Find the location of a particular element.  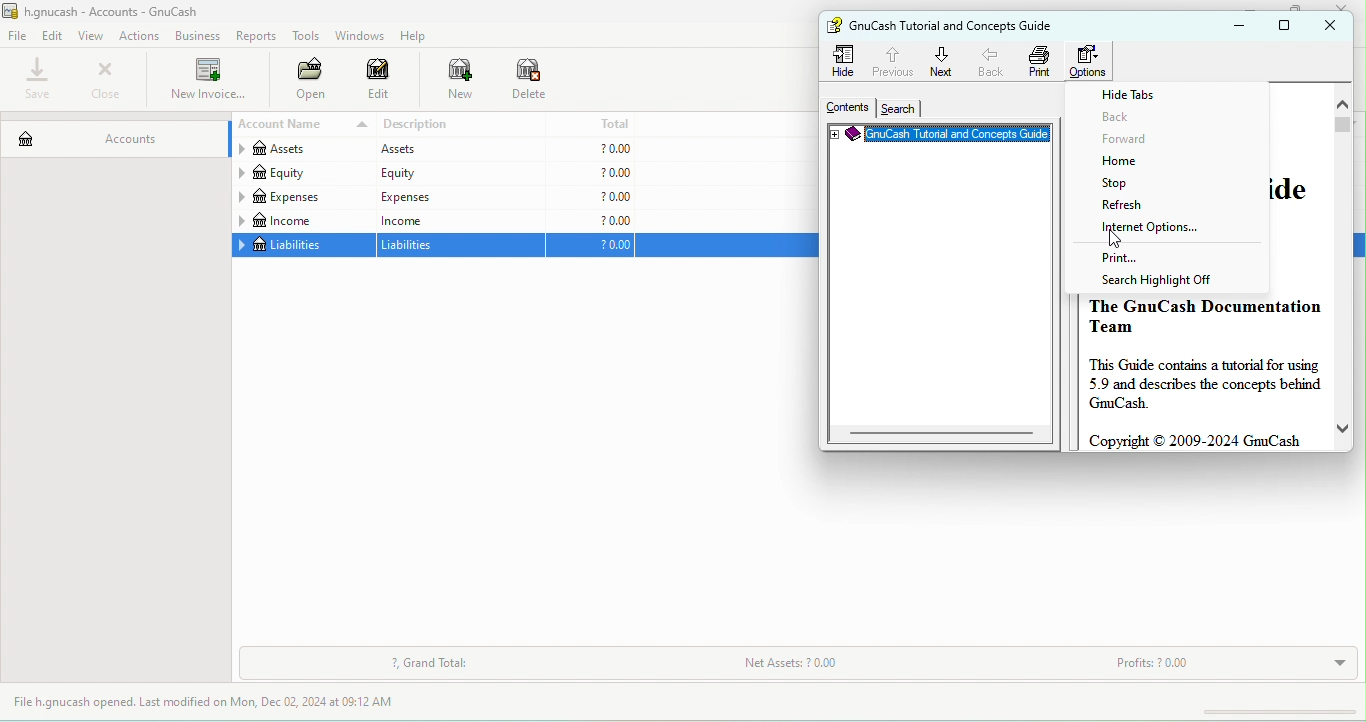

stop is located at coordinates (1138, 186).